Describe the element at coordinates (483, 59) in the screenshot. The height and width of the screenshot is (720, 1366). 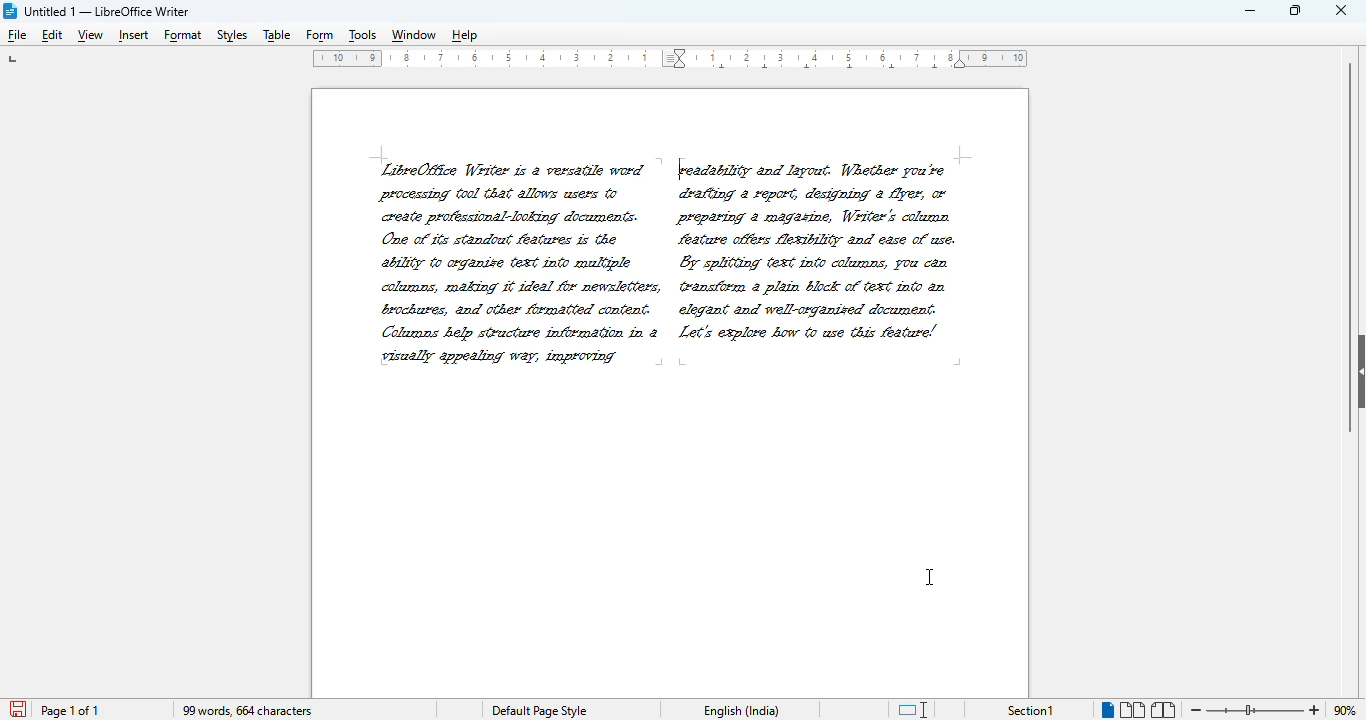
I see `10, 9, 8. 7, 8, 7, 6, 5, 4, 3, 2, 1` at that location.